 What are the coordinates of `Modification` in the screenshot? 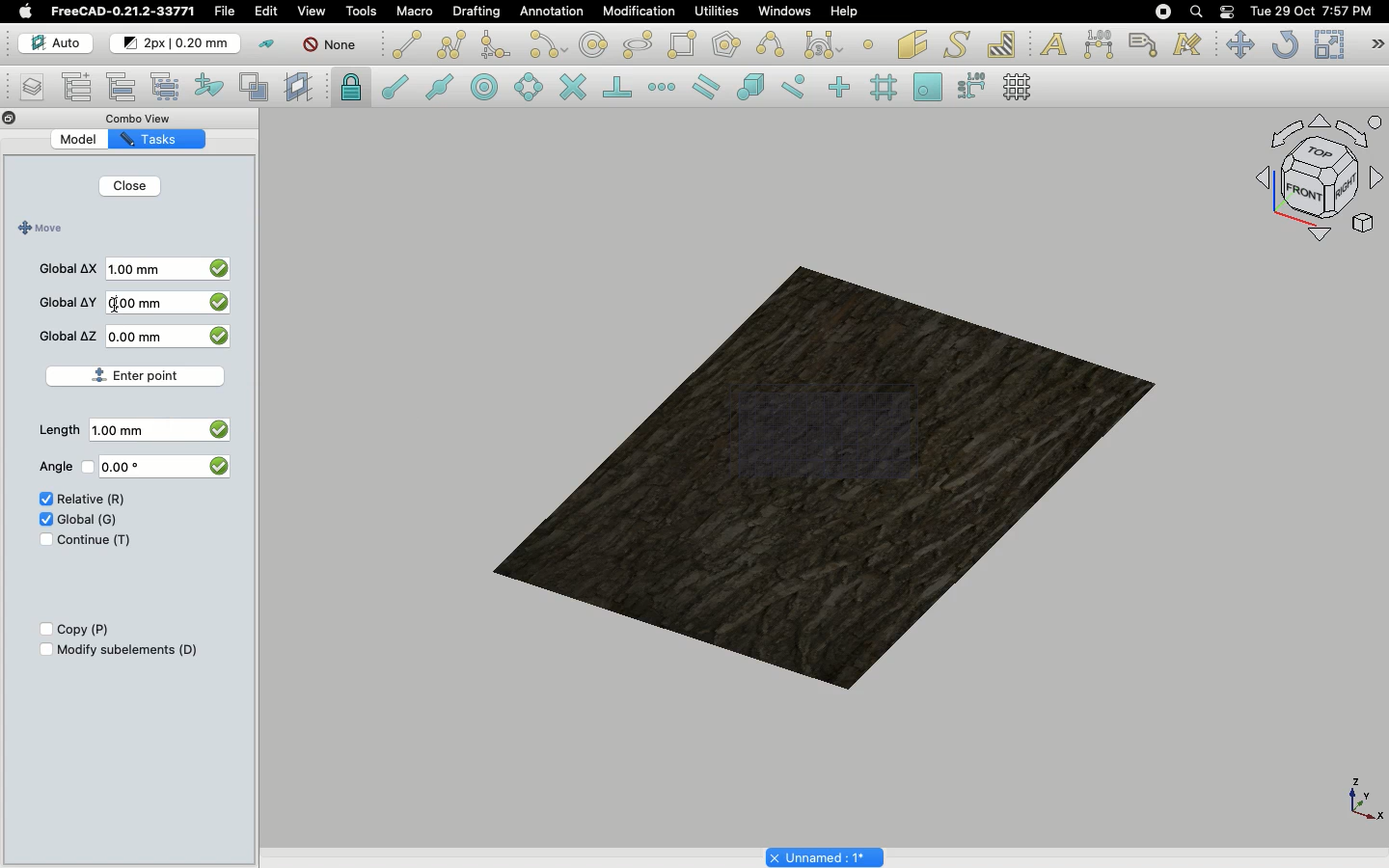 It's located at (643, 14).